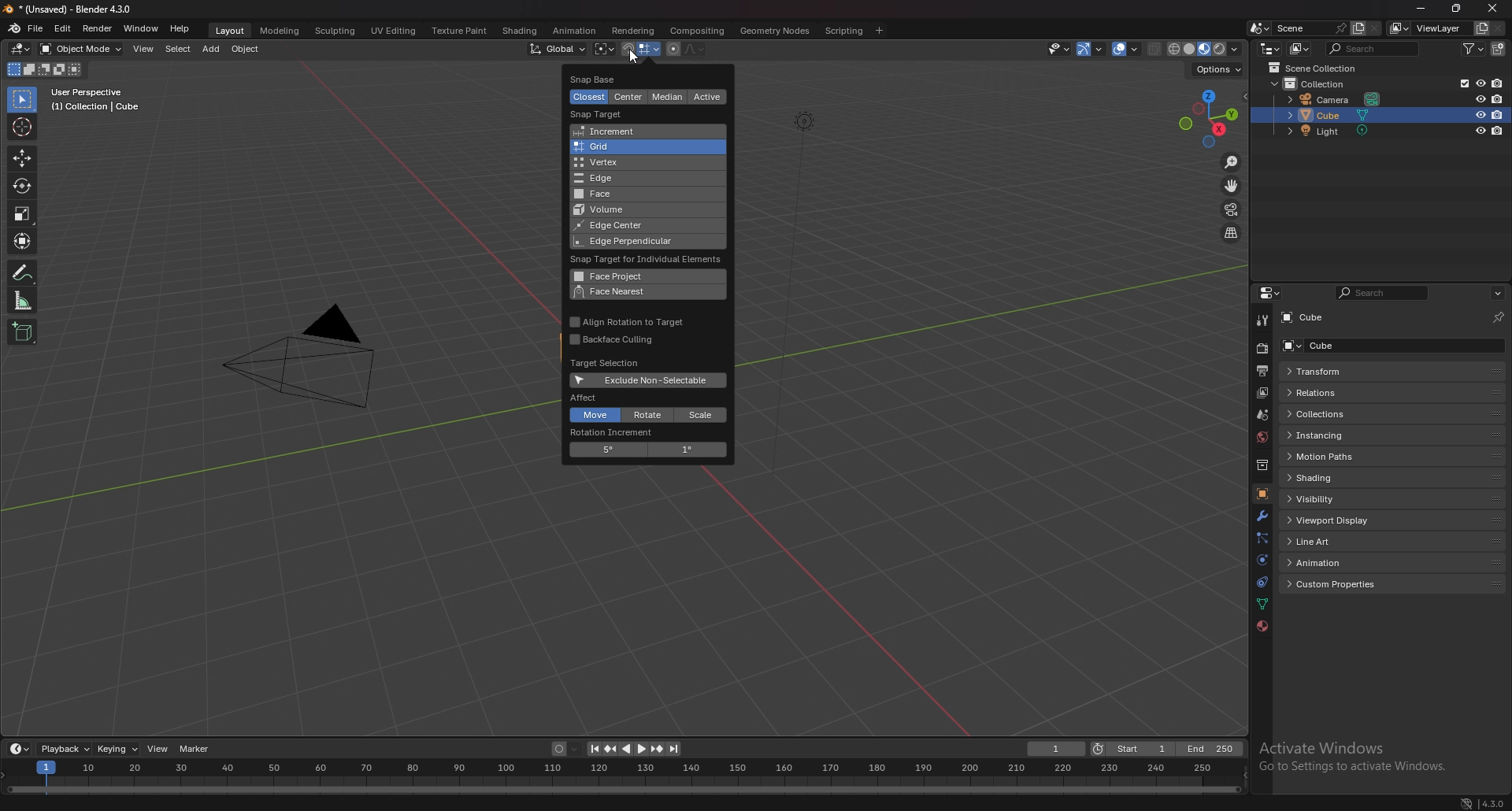  I want to click on render, so click(97, 29).